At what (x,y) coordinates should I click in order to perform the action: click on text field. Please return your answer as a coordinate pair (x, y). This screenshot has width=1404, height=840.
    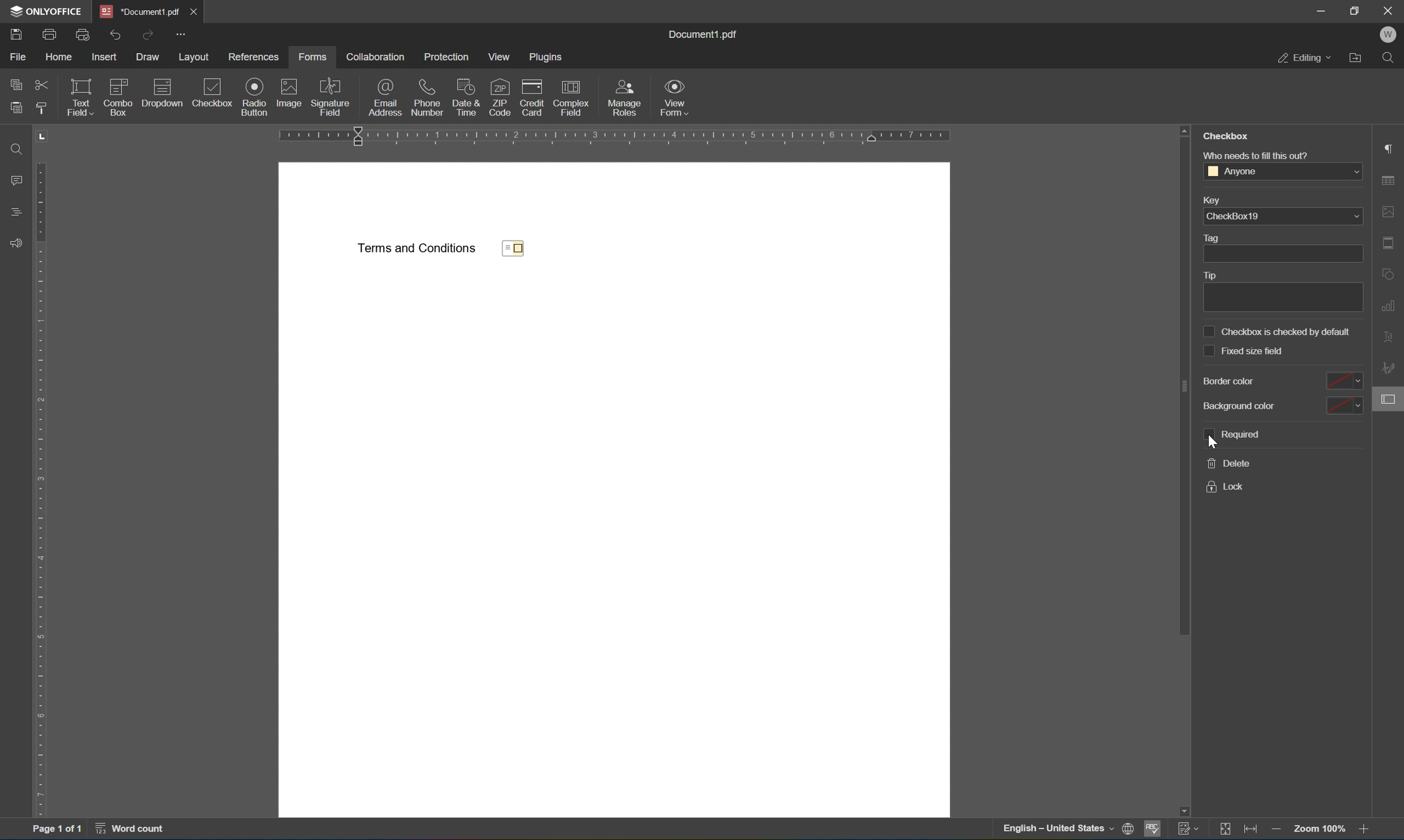
    Looking at the image, I should click on (80, 97).